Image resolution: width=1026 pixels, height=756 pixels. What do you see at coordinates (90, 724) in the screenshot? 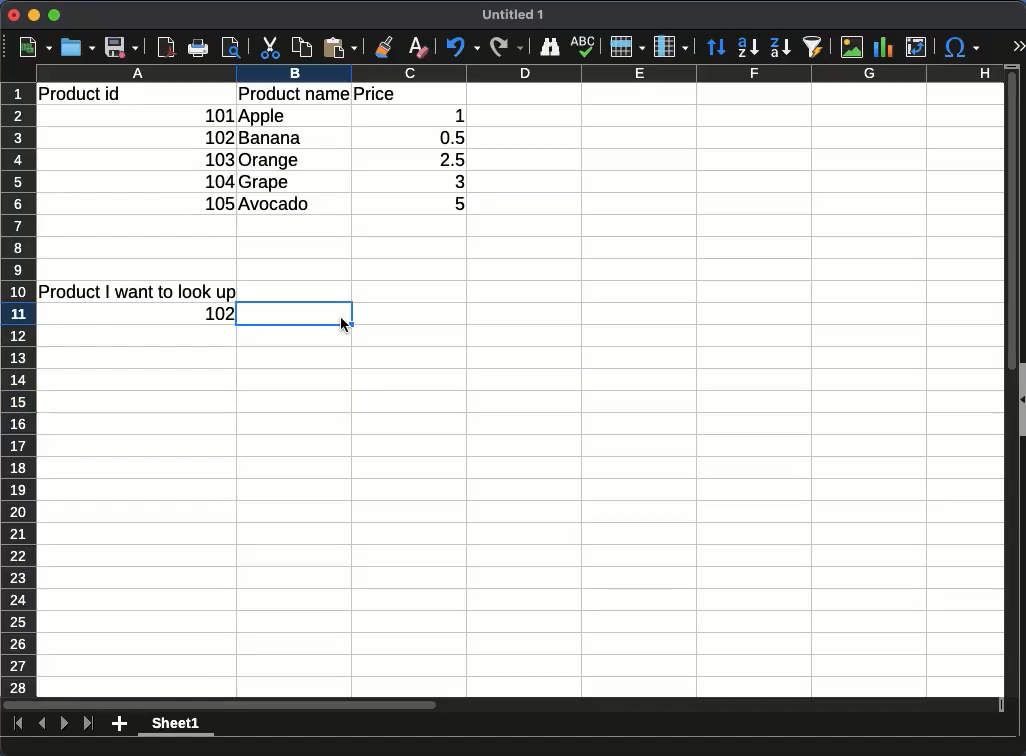
I see `last sheet` at bounding box center [90, 724].